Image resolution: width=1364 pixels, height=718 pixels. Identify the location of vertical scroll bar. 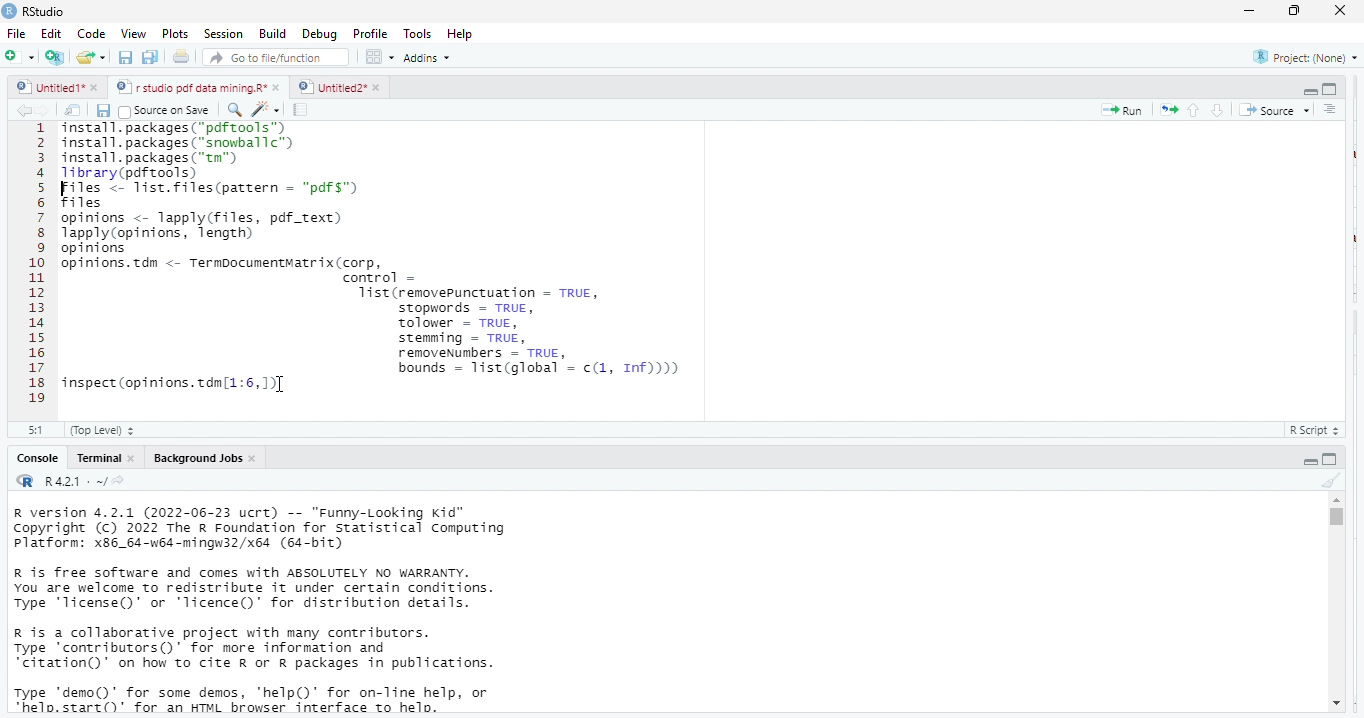
(1335, 602).